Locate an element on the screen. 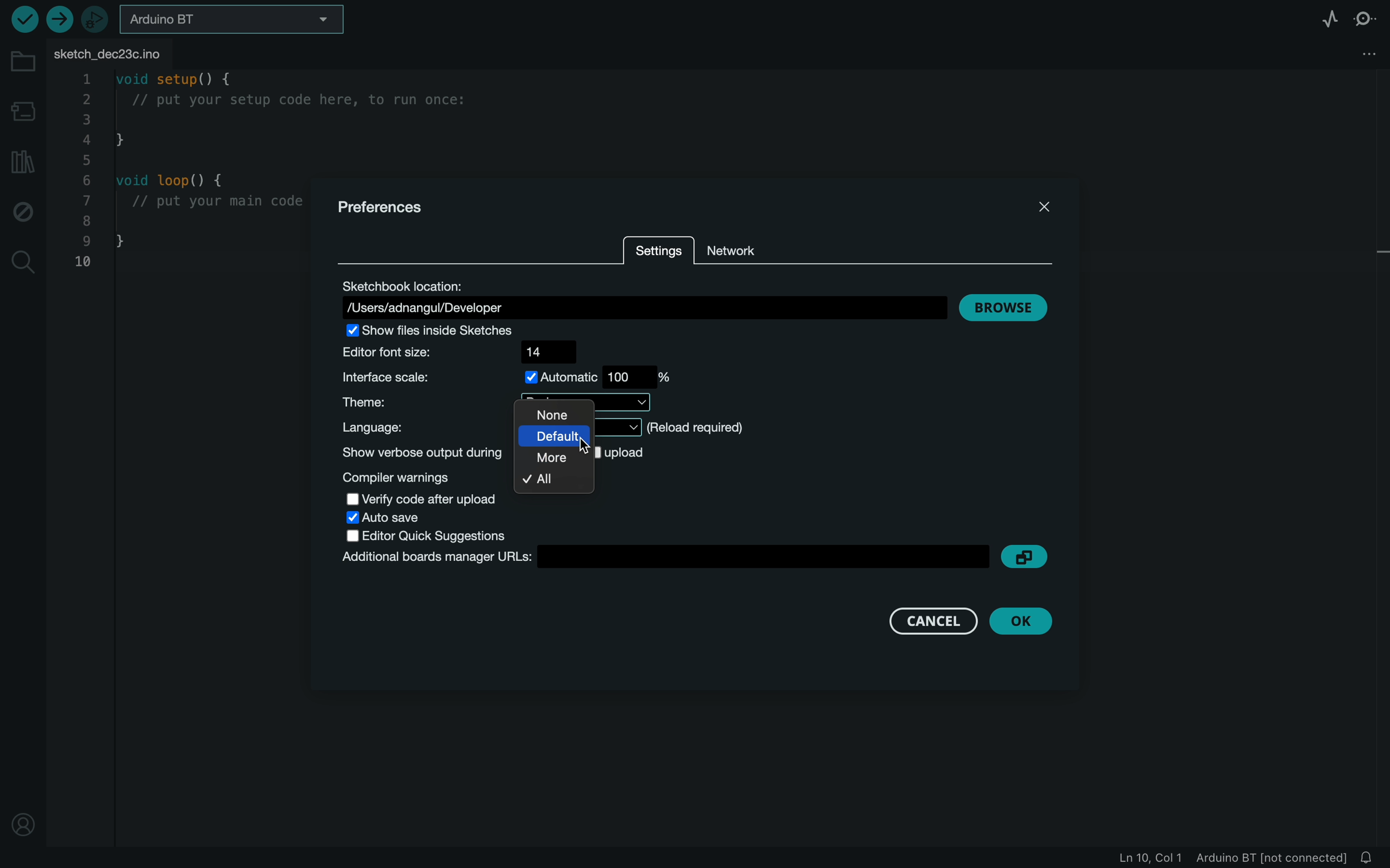 This screenshot has width=1390, height=868. more is located at coordinates (555, 460).